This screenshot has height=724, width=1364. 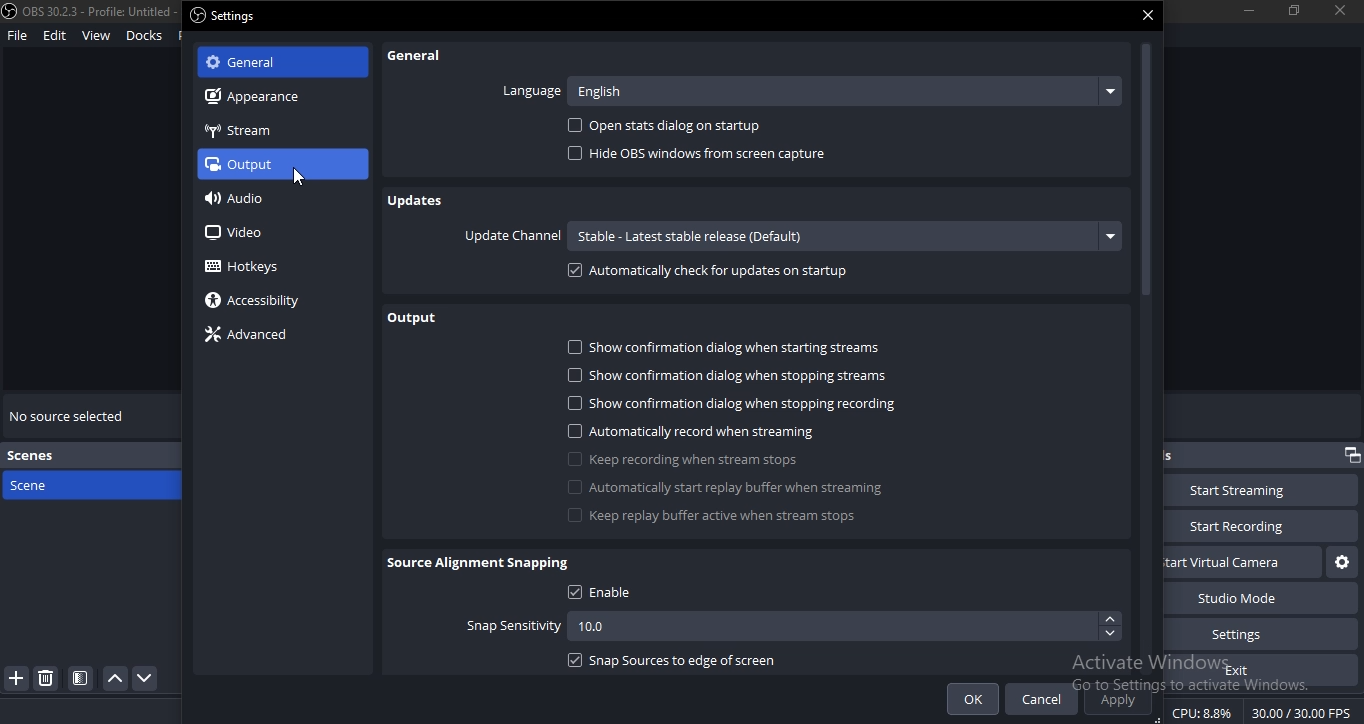 What do you see at coordinates (680, 128) in the screenshot?
I see `open stats dialog on startup` at bounding box center [680, 128].